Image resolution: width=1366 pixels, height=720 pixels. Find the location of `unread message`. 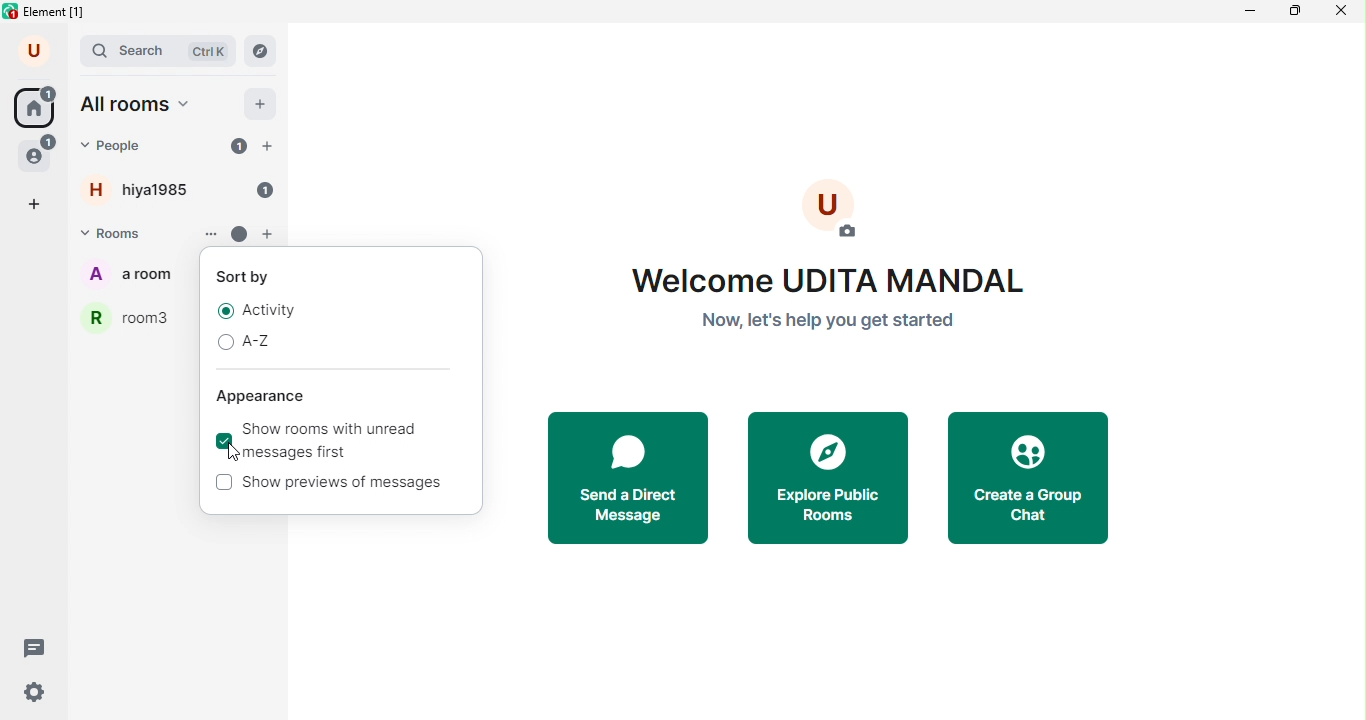

unread message is located at coordinates (240, 235).